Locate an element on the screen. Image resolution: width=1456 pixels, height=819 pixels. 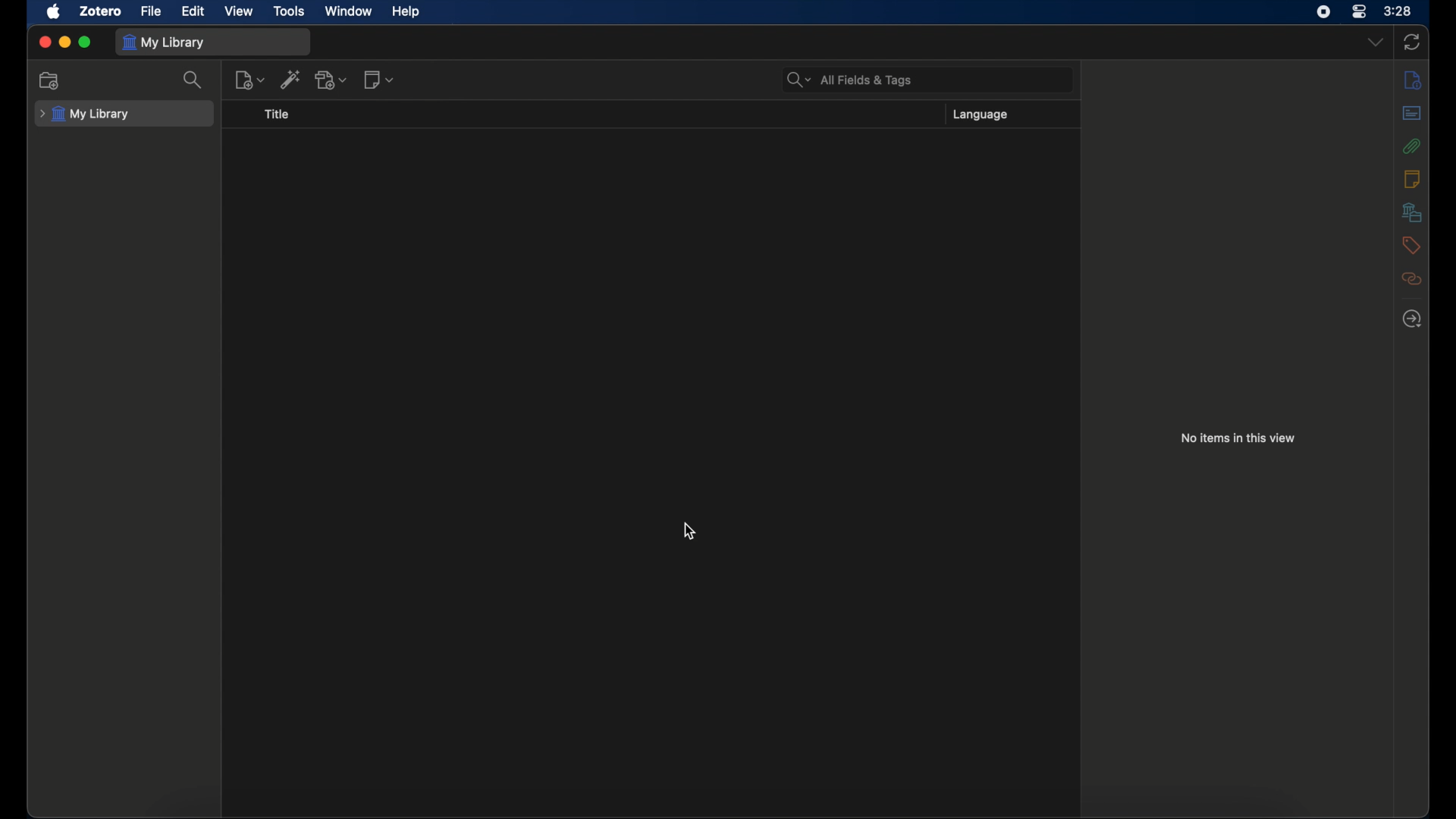
libraries is located at coordinates (1411, 212).